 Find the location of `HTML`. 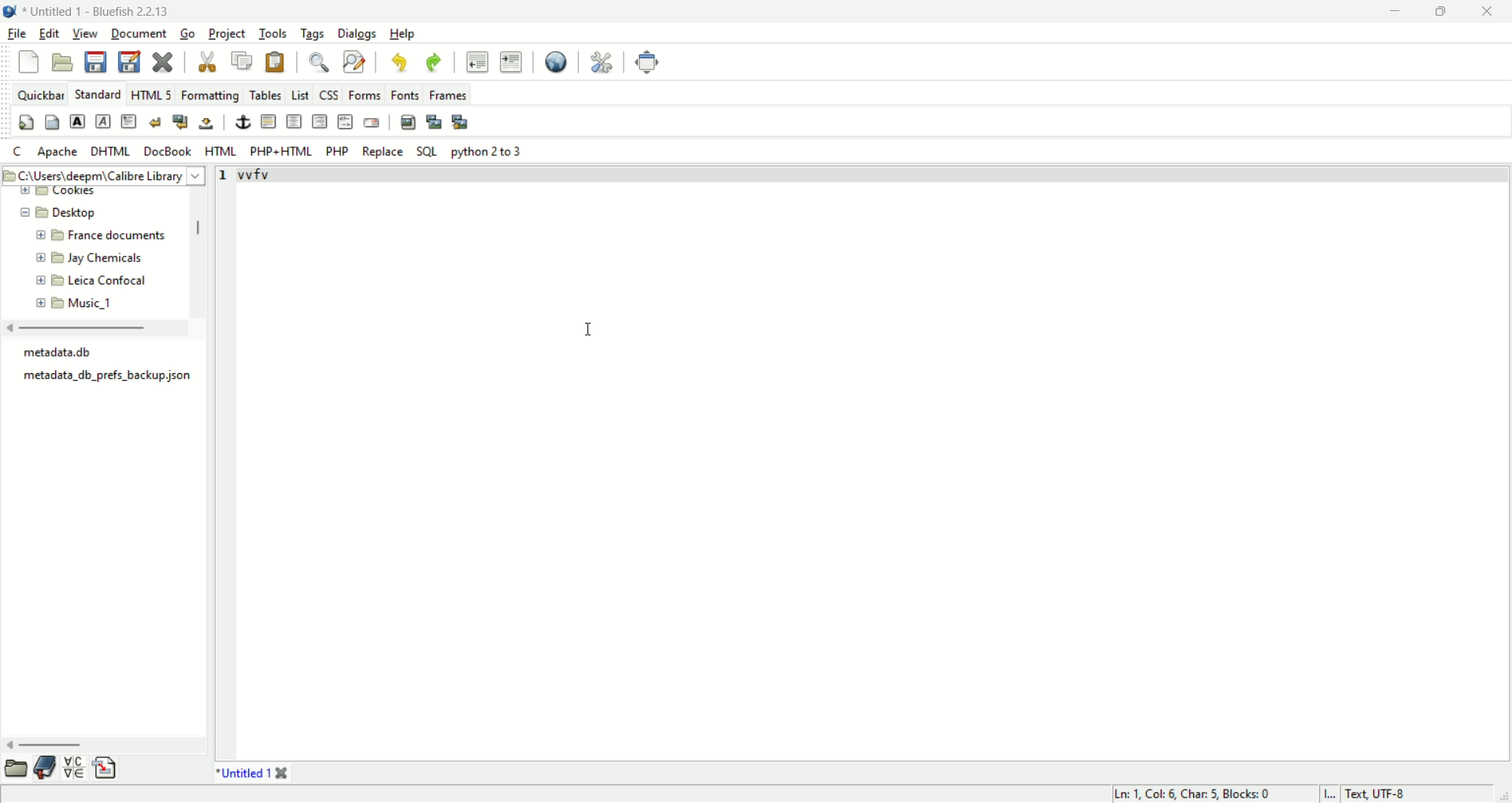

HTML is located at coordinates (222, 150).